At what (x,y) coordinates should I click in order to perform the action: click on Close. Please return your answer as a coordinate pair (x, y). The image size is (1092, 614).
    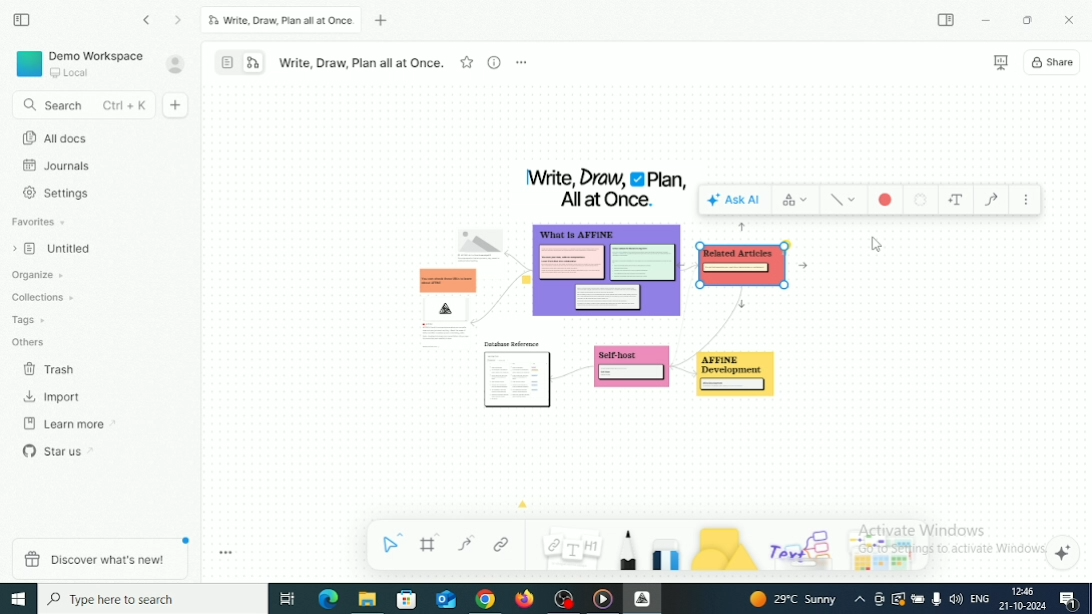
    Looking at the image, I should click on (1070, 19).